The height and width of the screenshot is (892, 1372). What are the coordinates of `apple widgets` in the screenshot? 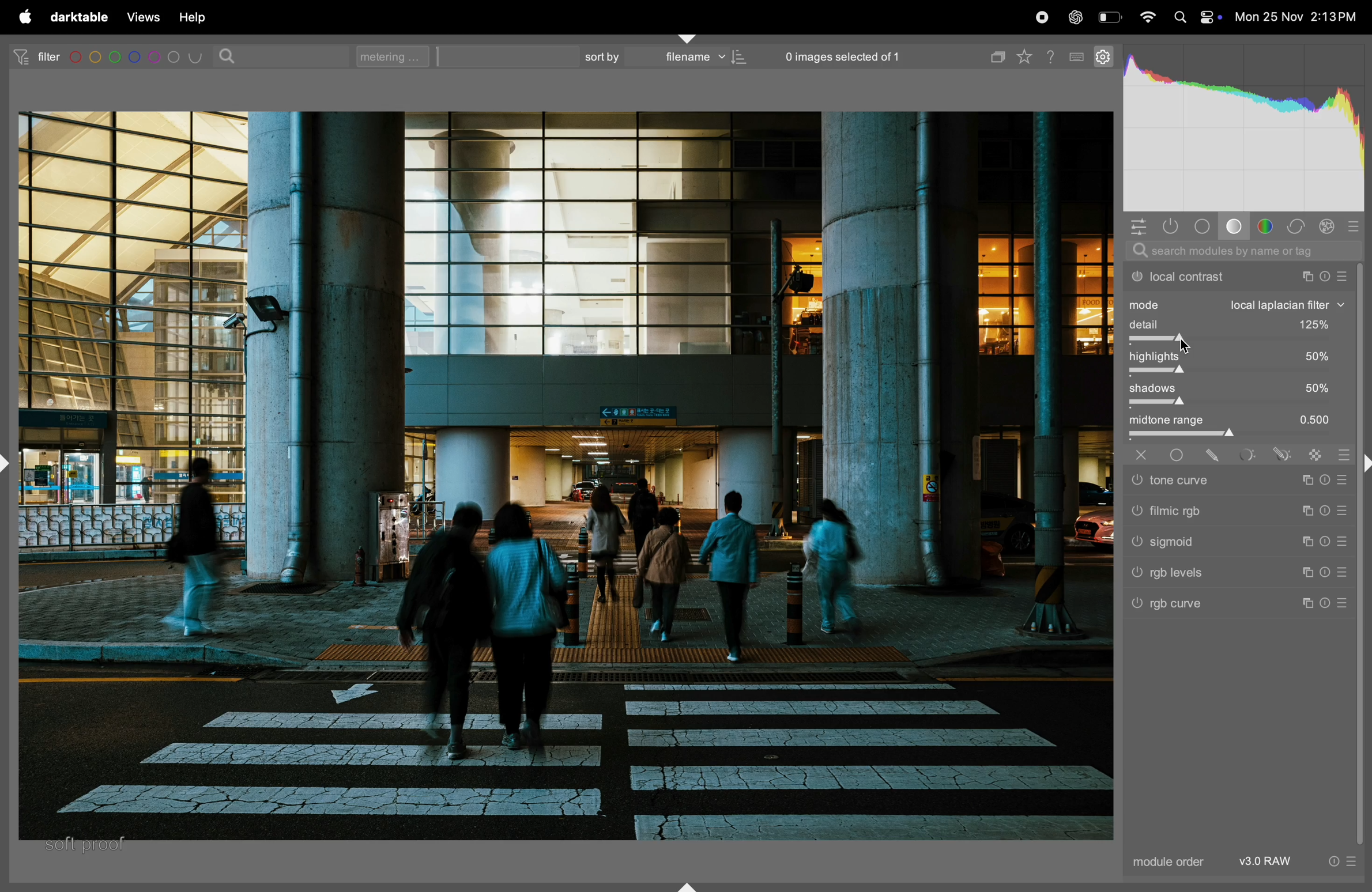 It's located at (1210, 17).